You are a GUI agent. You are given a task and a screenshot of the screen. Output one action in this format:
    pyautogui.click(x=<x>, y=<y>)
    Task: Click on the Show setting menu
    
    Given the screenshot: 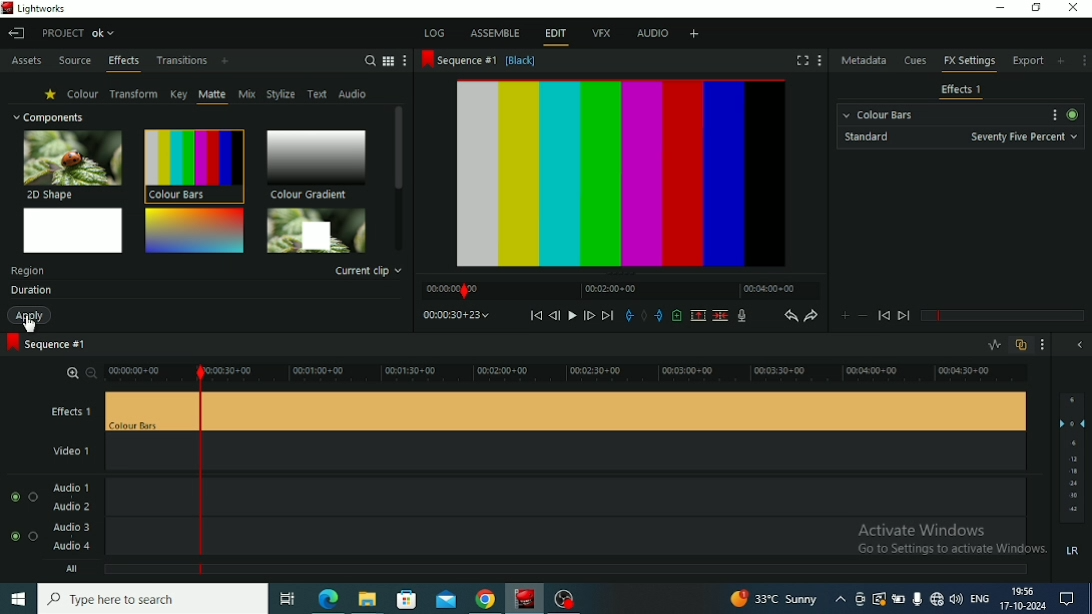 What is the action you would take?
    pyautogui.click(x=819, y=60)
    